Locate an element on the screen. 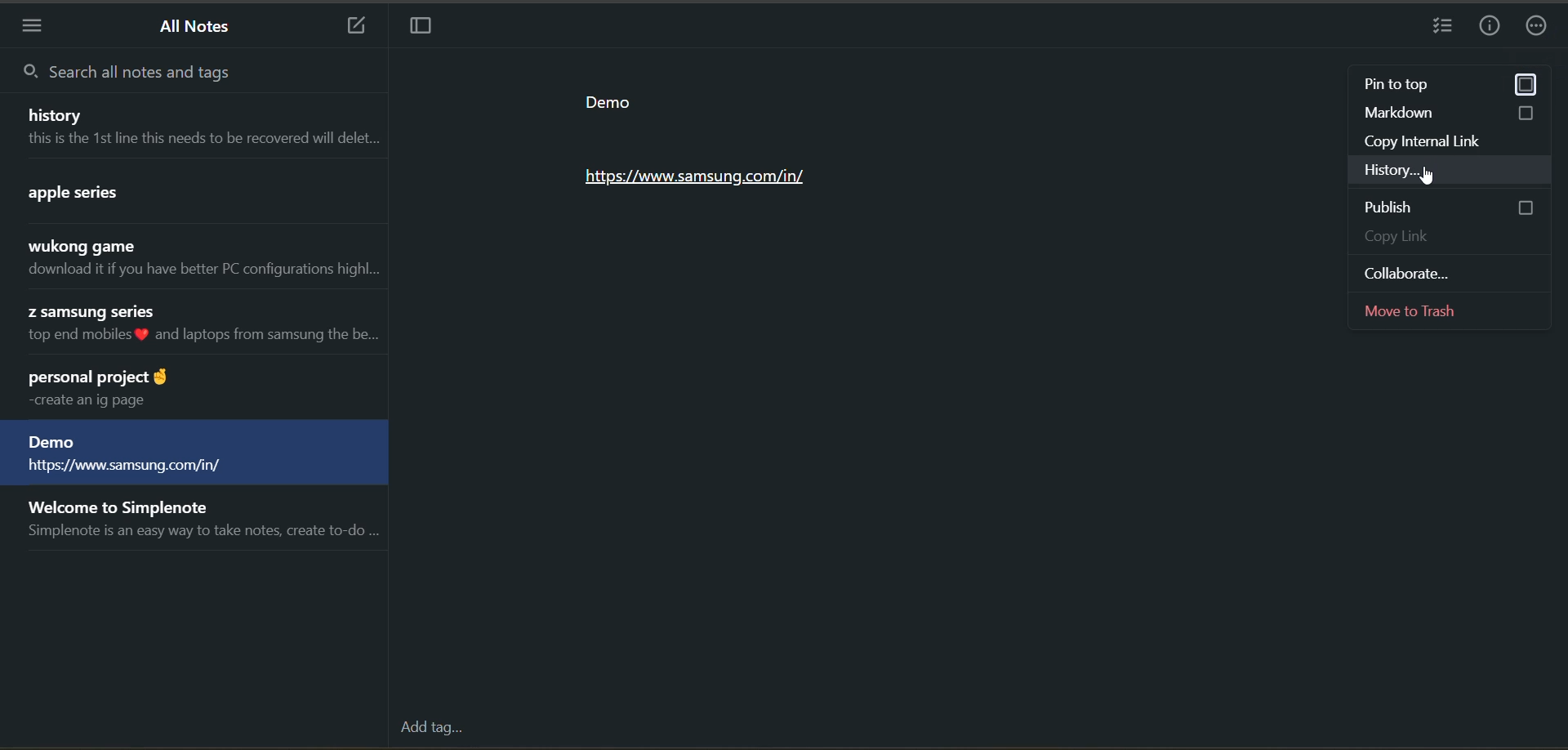 This screenshot has height=750, width=1568. copy link is located at coordinates (1458, 237).